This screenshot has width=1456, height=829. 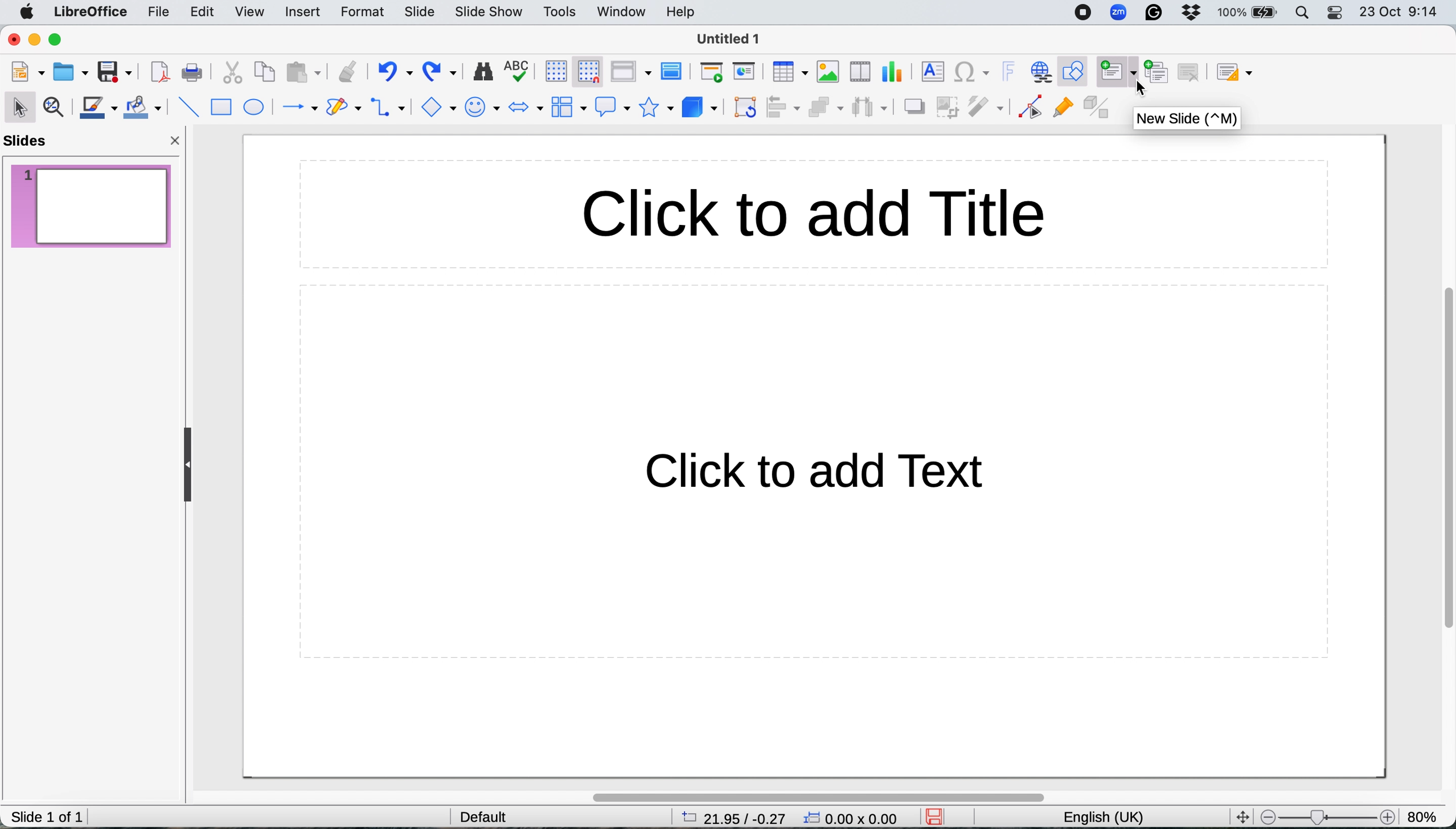 I want to click on slide show, so click(x=491, y=13).